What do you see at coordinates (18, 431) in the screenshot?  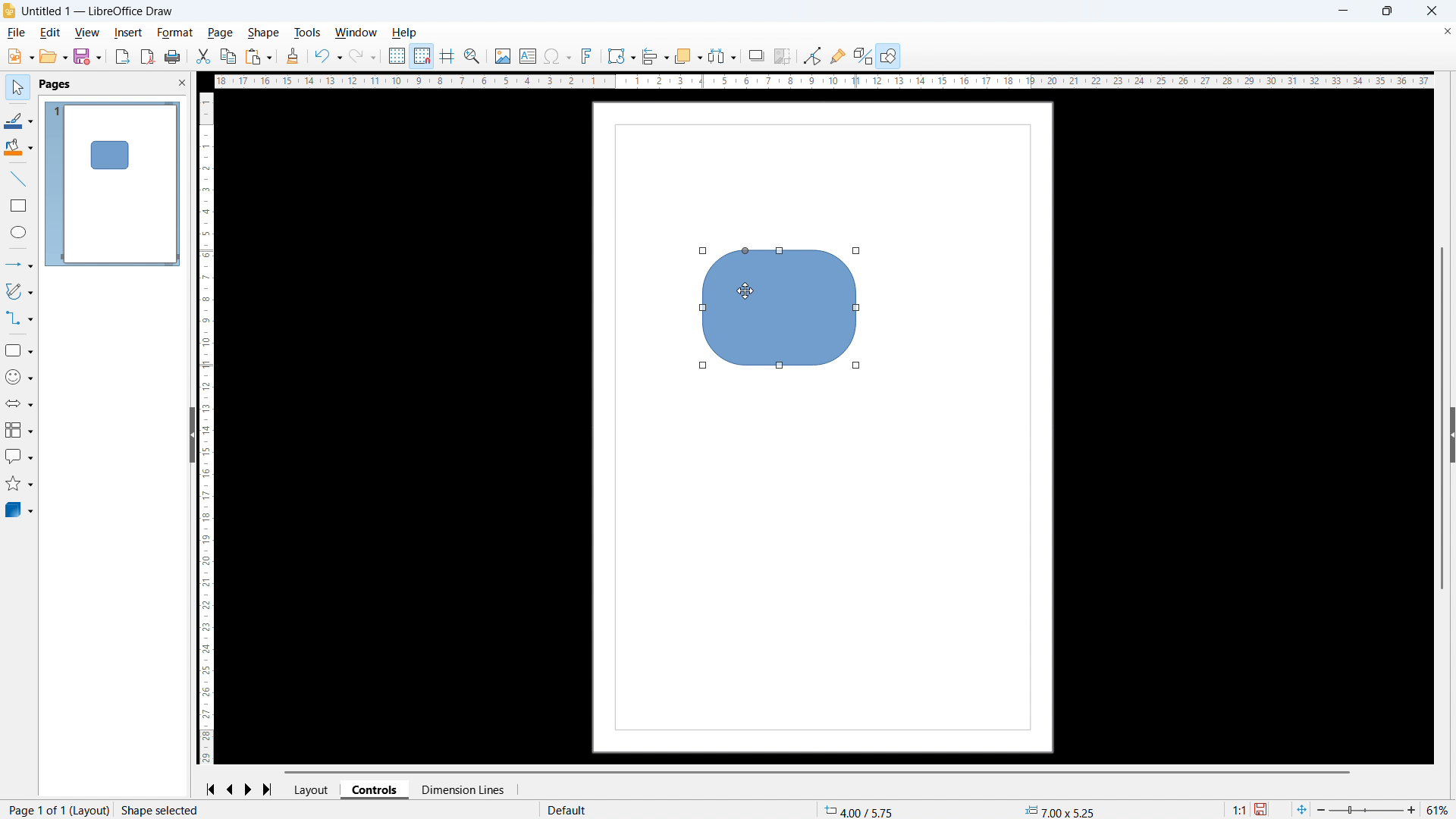 I see `Flow chart ` at bounding box center [18, 431].